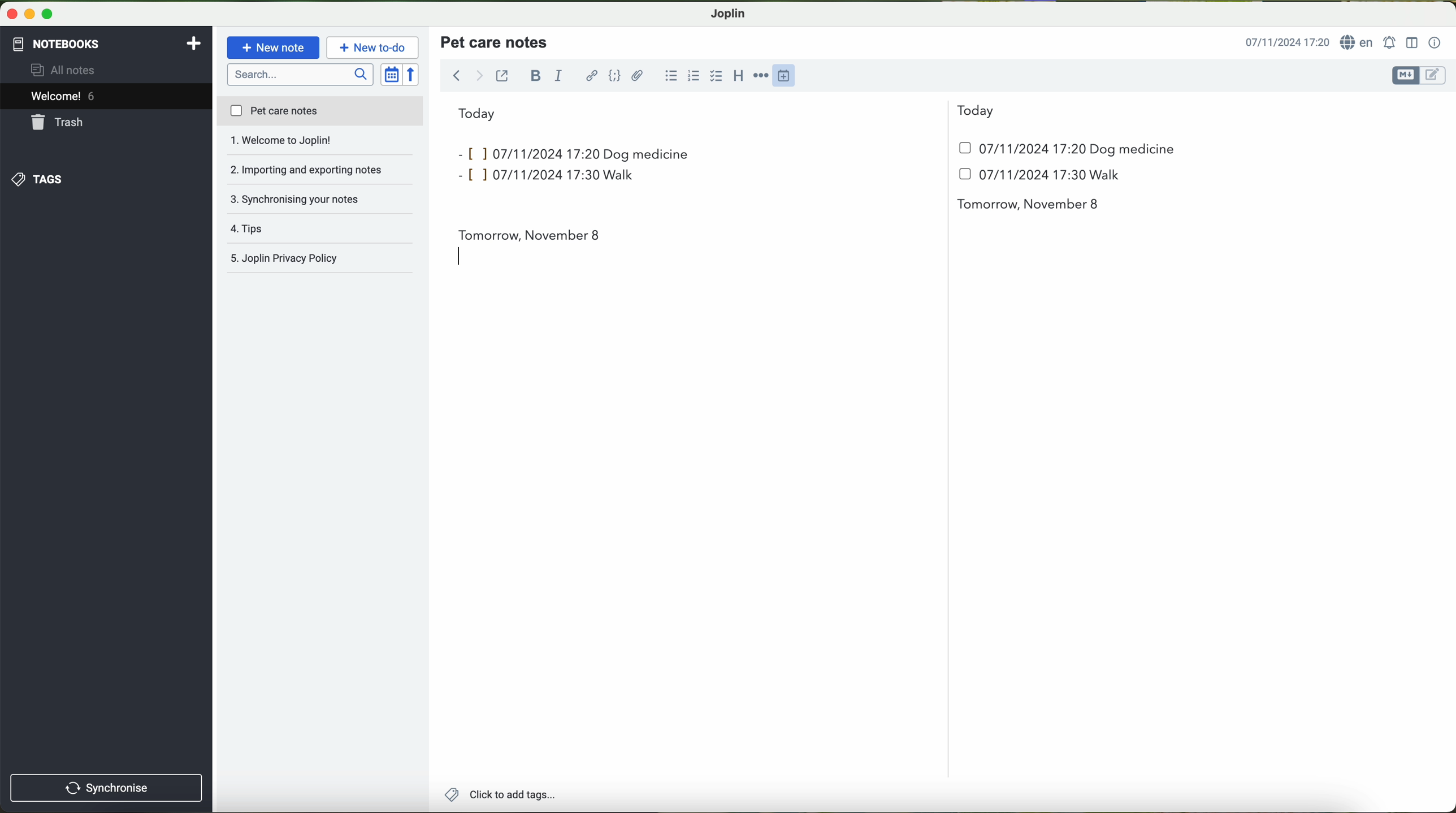 The image size is (1456, 813). Describe the element at coordinates (319, 112) in the screenshot. I see `pet care notes file` at that location.